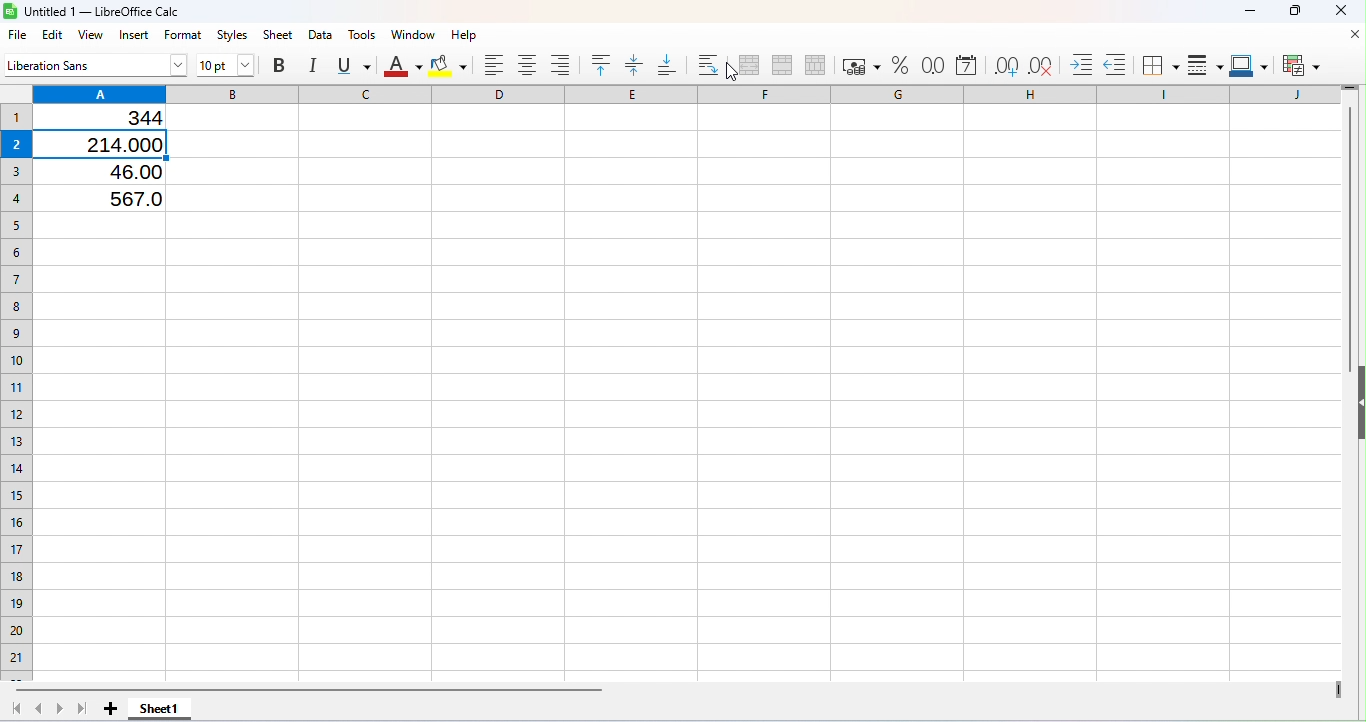  Describe the element at coordinates (1004, 62) in the screenshot. I see `Add decimal place` at that location.